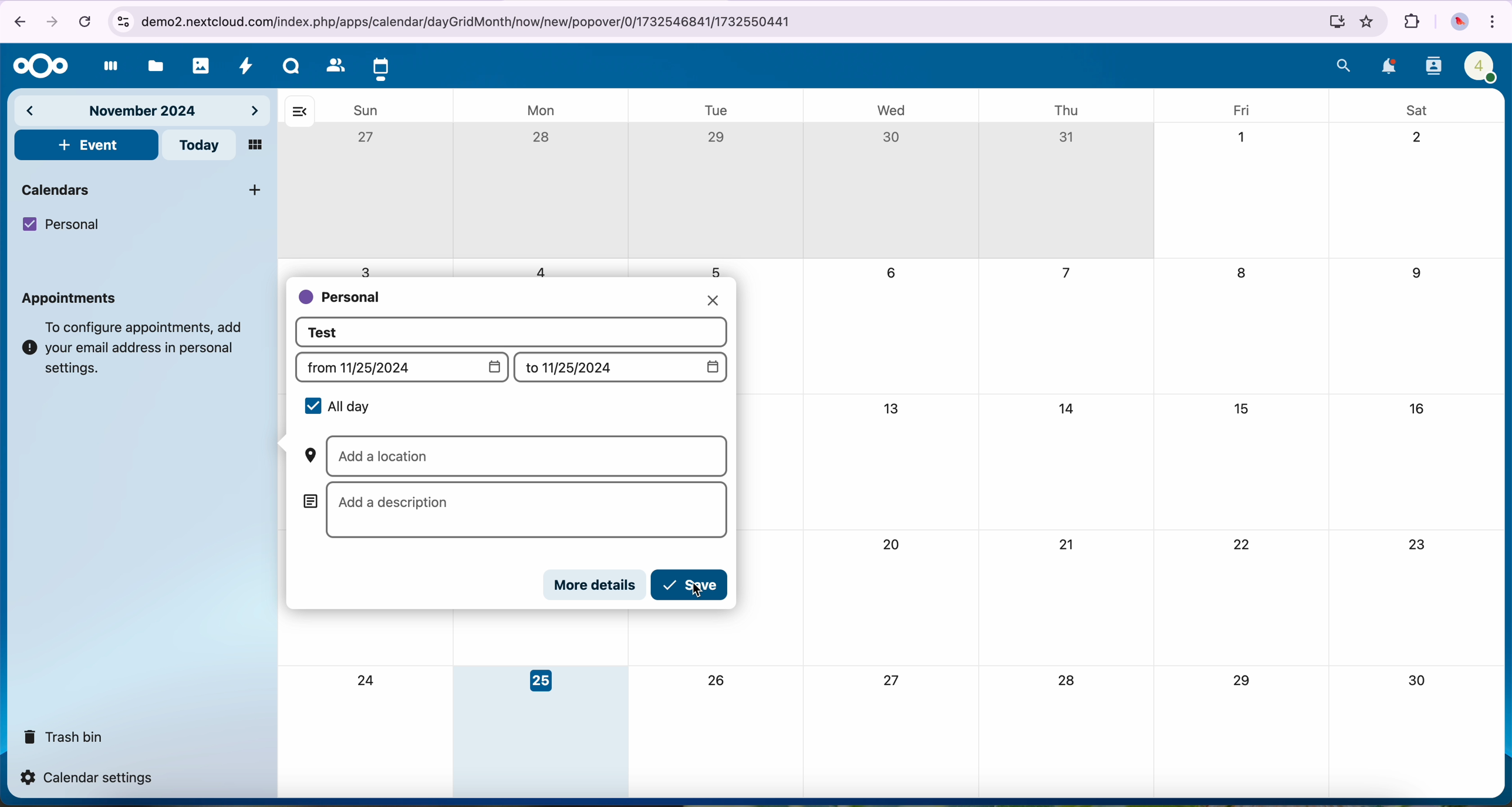  Describe the element at coordinates (369, 138) in the screenshot. I see `27` at that location.